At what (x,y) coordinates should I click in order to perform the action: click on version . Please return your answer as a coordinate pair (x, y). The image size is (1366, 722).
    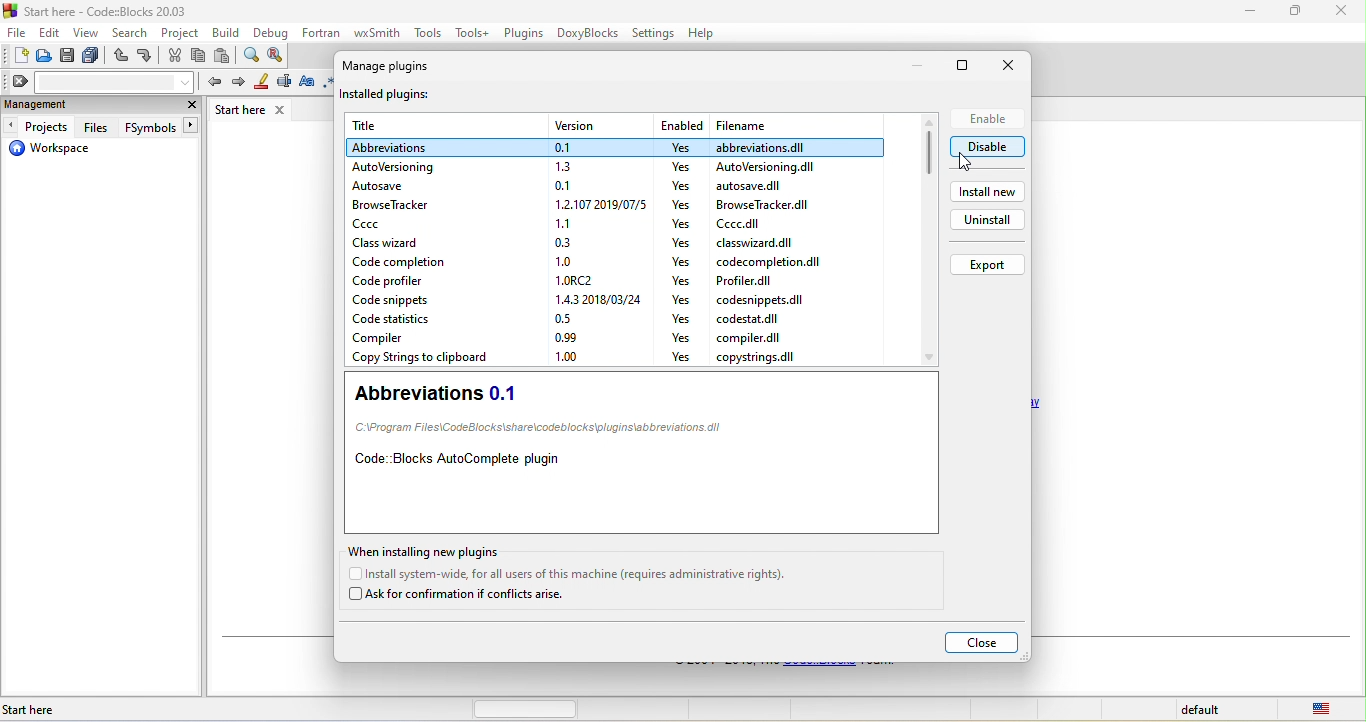
    Looking at the image, I should click on (563, 243).